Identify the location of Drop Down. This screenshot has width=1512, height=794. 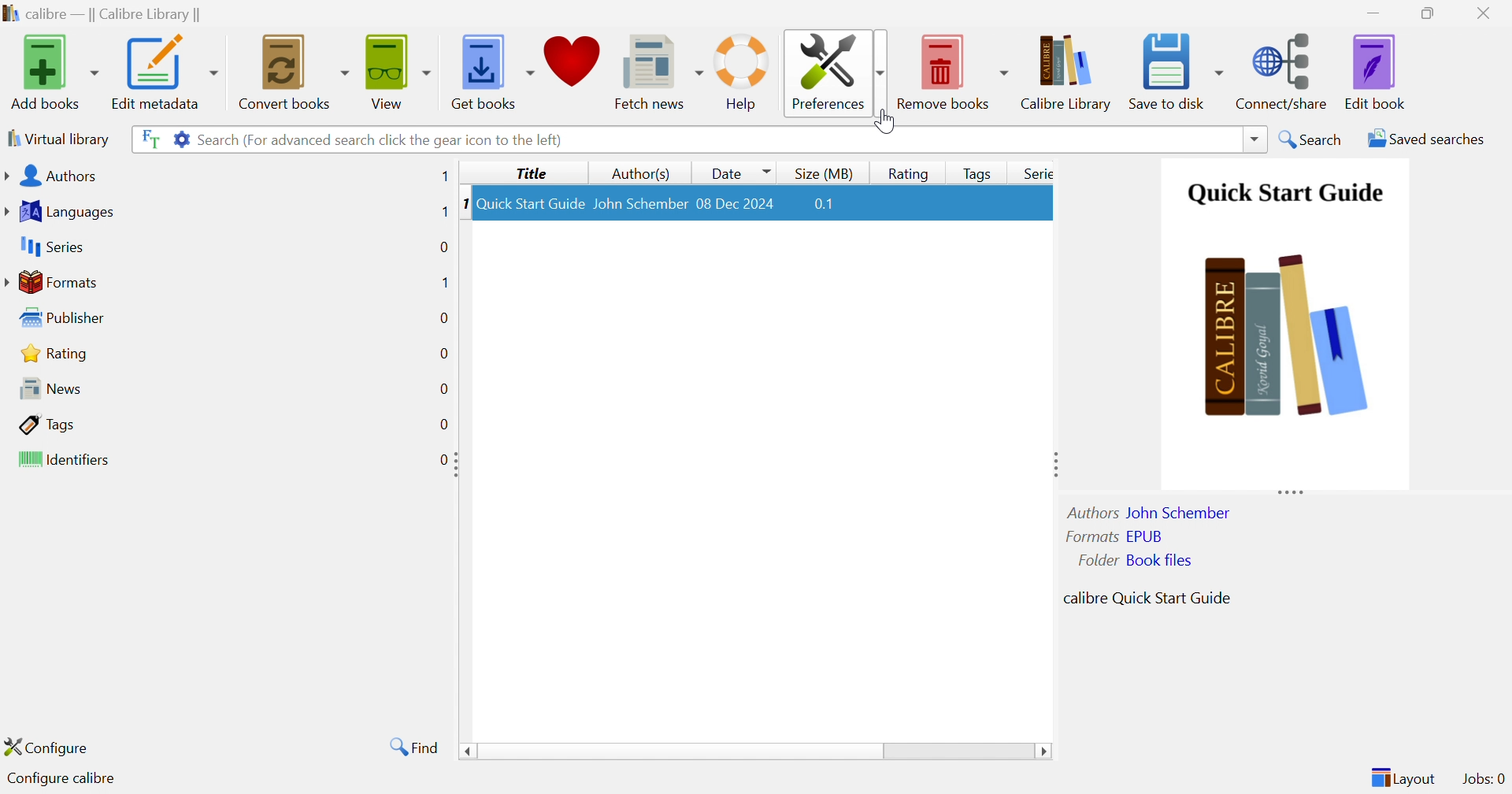
(1255, 139).